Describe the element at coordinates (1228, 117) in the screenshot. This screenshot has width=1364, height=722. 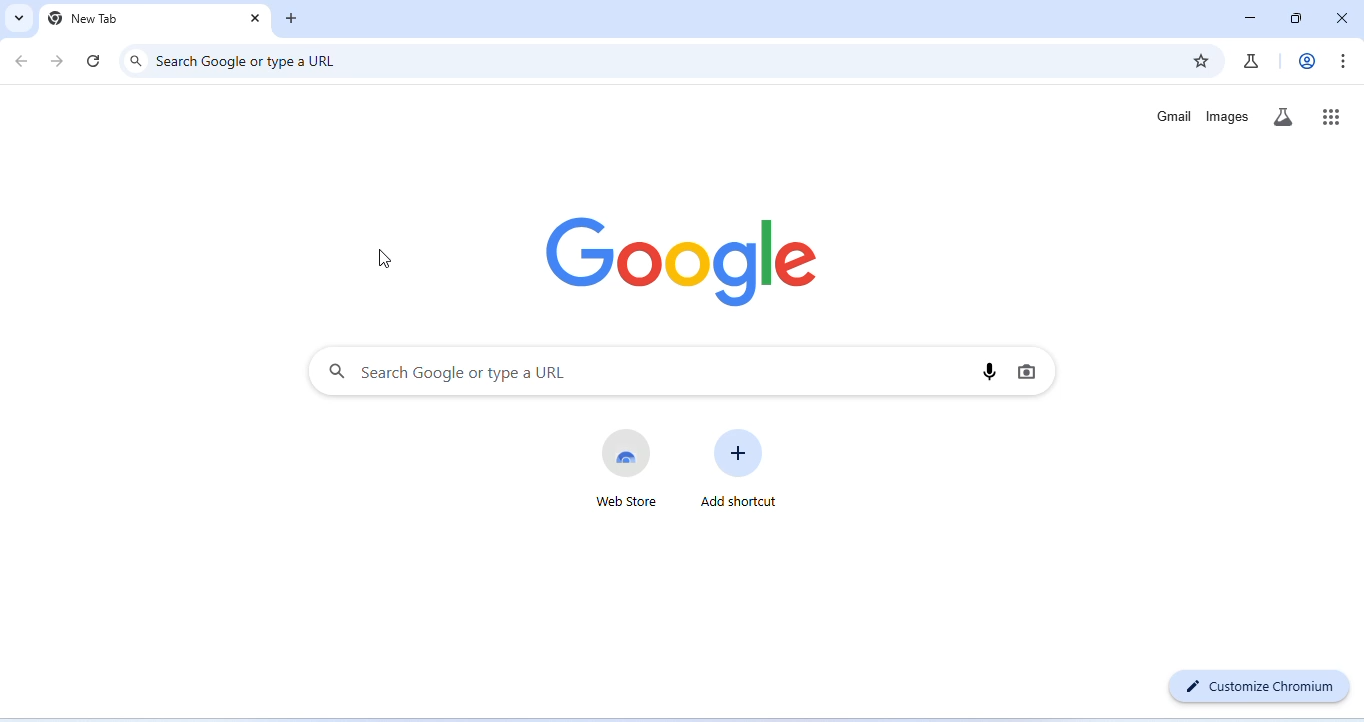
I see `images` at that location.